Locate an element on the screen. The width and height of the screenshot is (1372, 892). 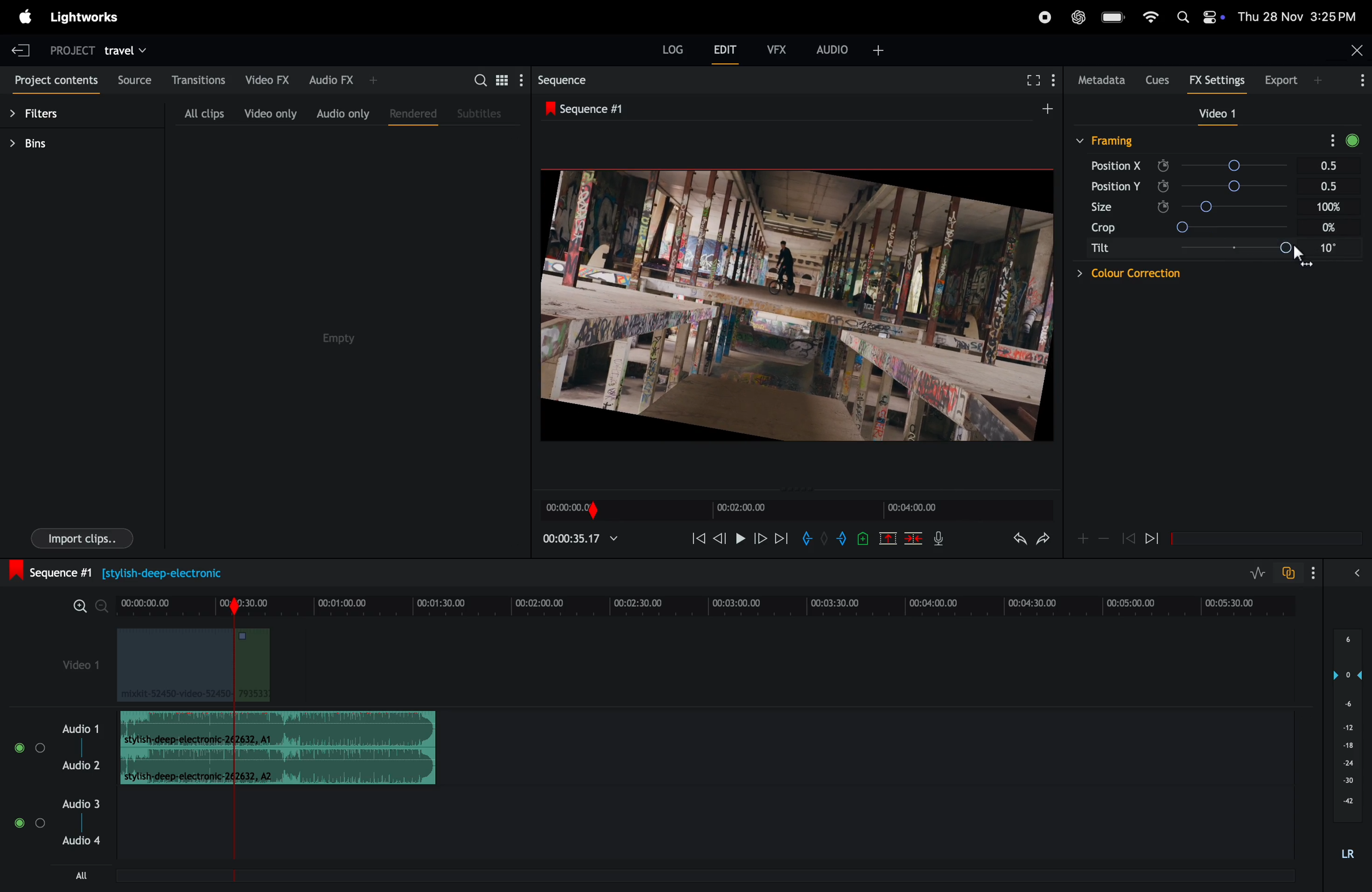
sequence 1 is located at coordinates (598, 108).